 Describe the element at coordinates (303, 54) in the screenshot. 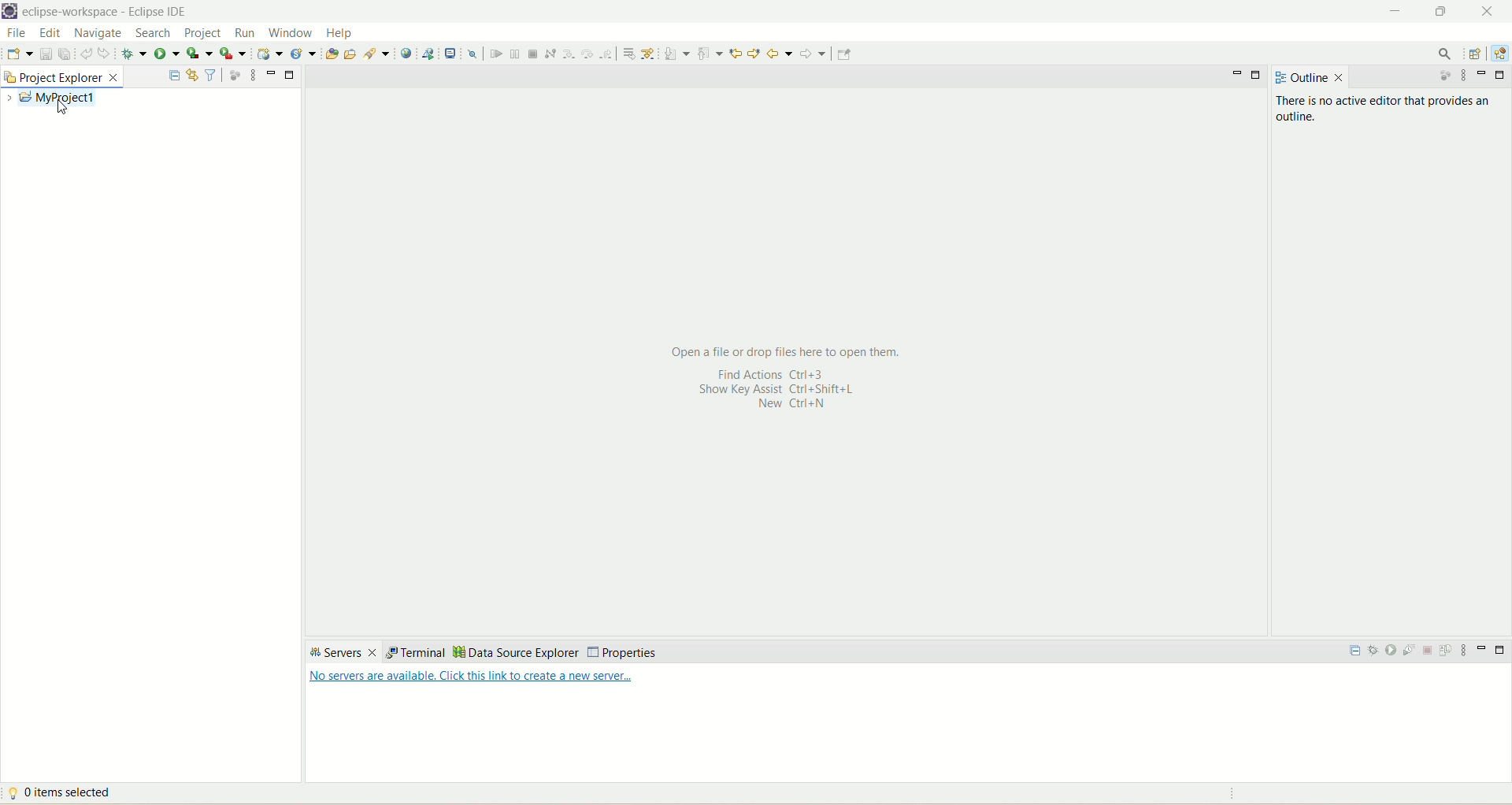

I see `create a new java servlet` at that location.